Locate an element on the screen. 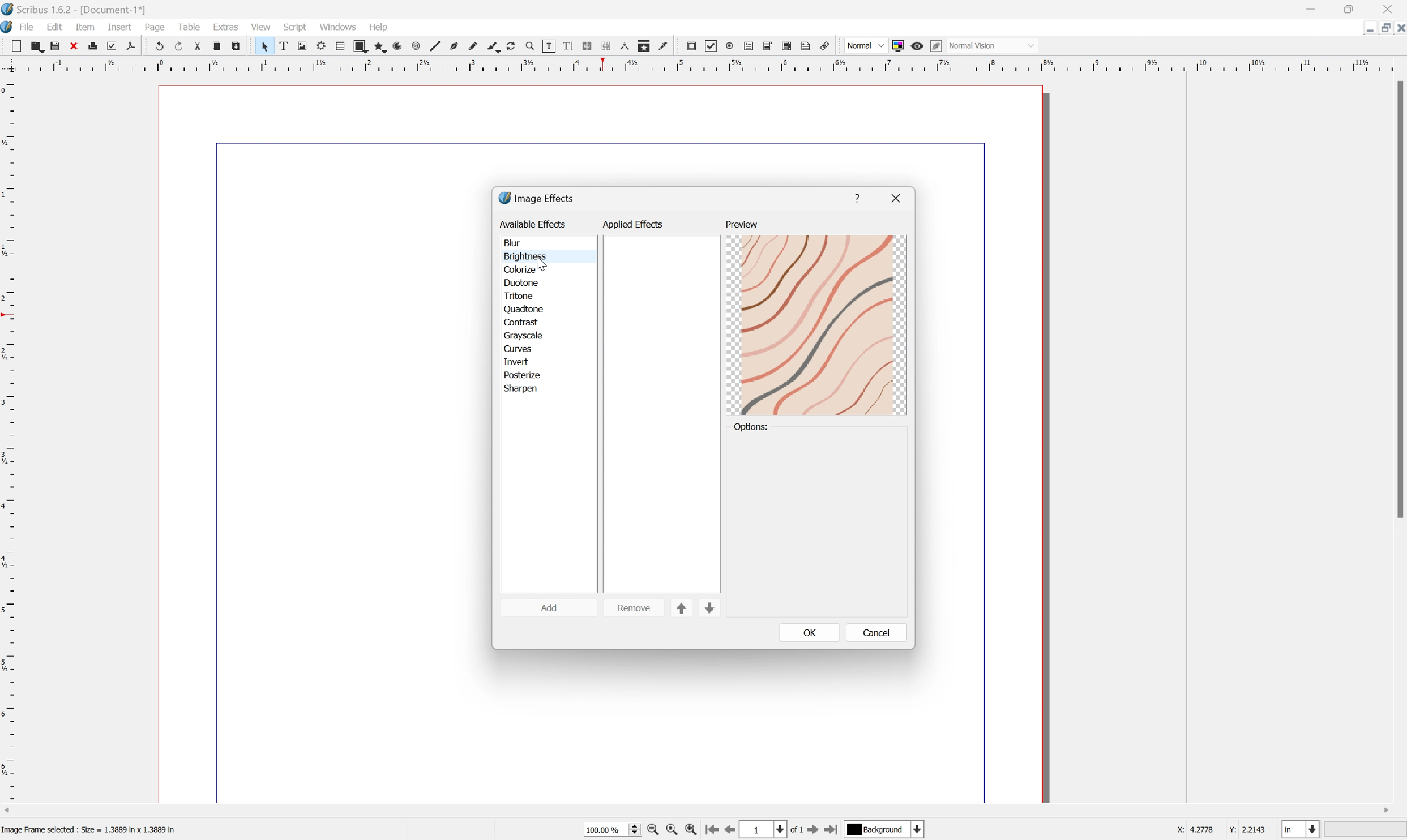 The height and width of the screenshot is (840, 1407). Undo is located at coordinates (158, 46).